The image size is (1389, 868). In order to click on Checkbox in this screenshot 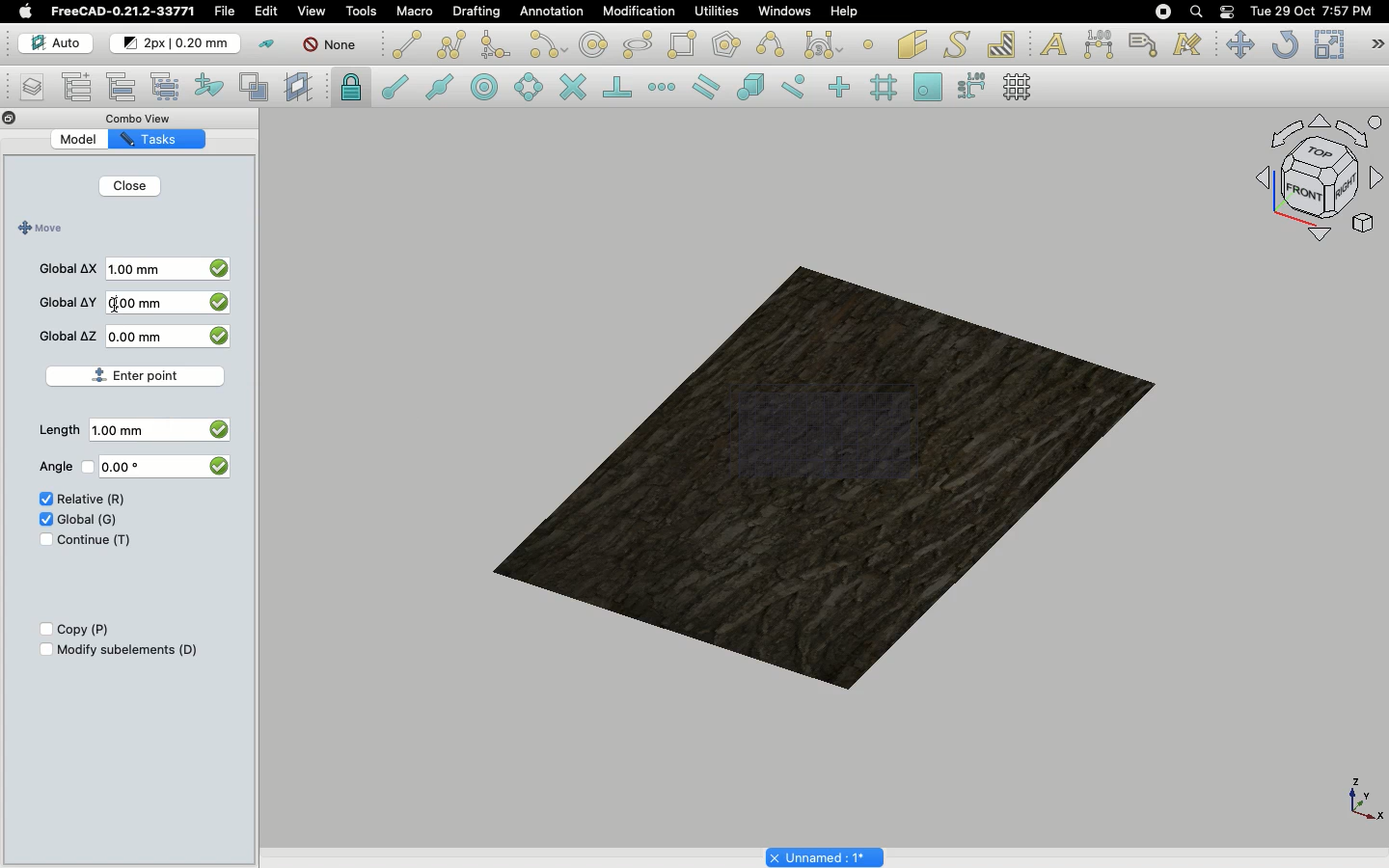, I will do `click(41, 630)`.